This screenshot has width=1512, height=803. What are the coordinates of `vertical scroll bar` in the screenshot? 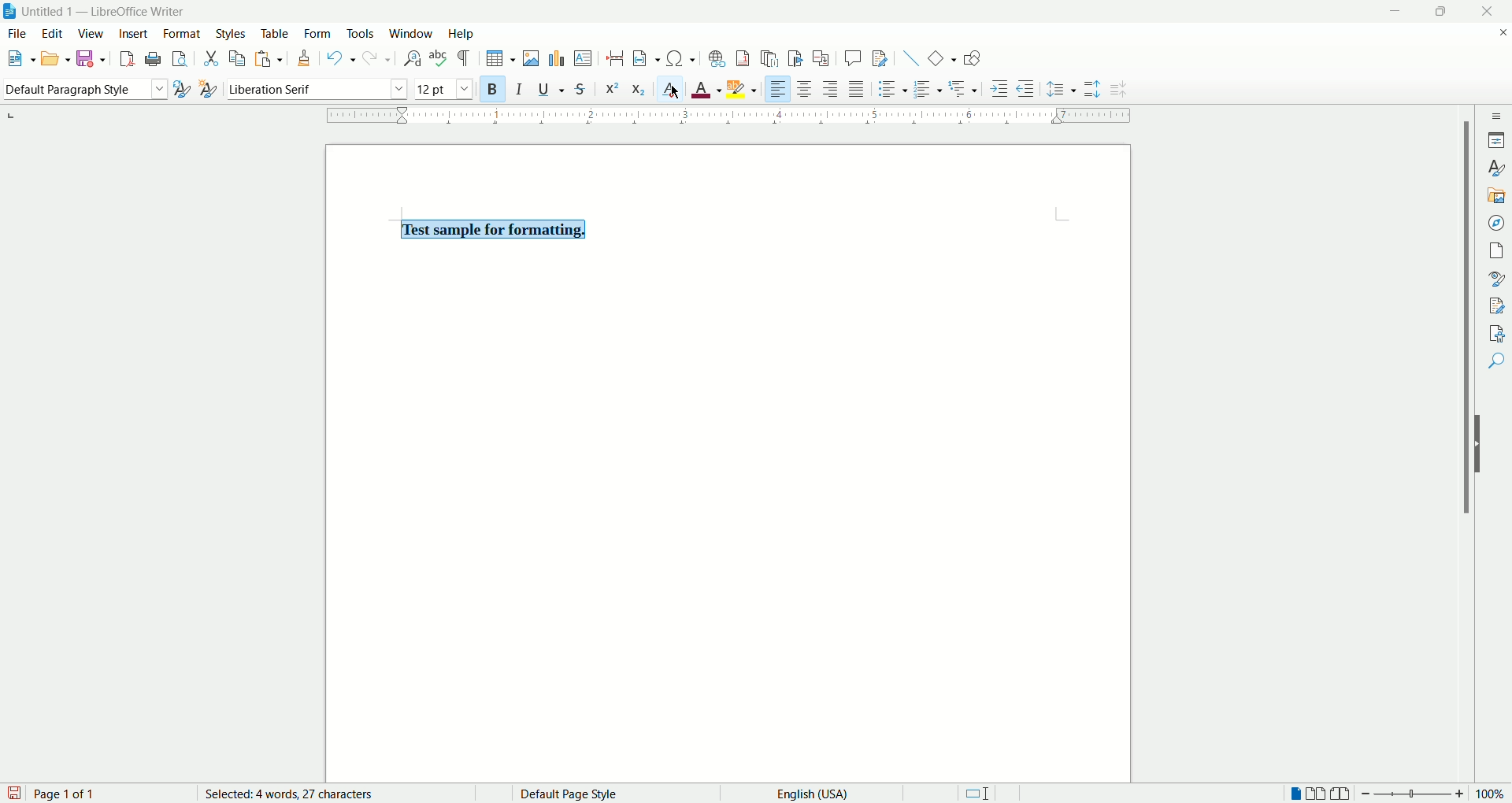 It's located at (1469, 442).